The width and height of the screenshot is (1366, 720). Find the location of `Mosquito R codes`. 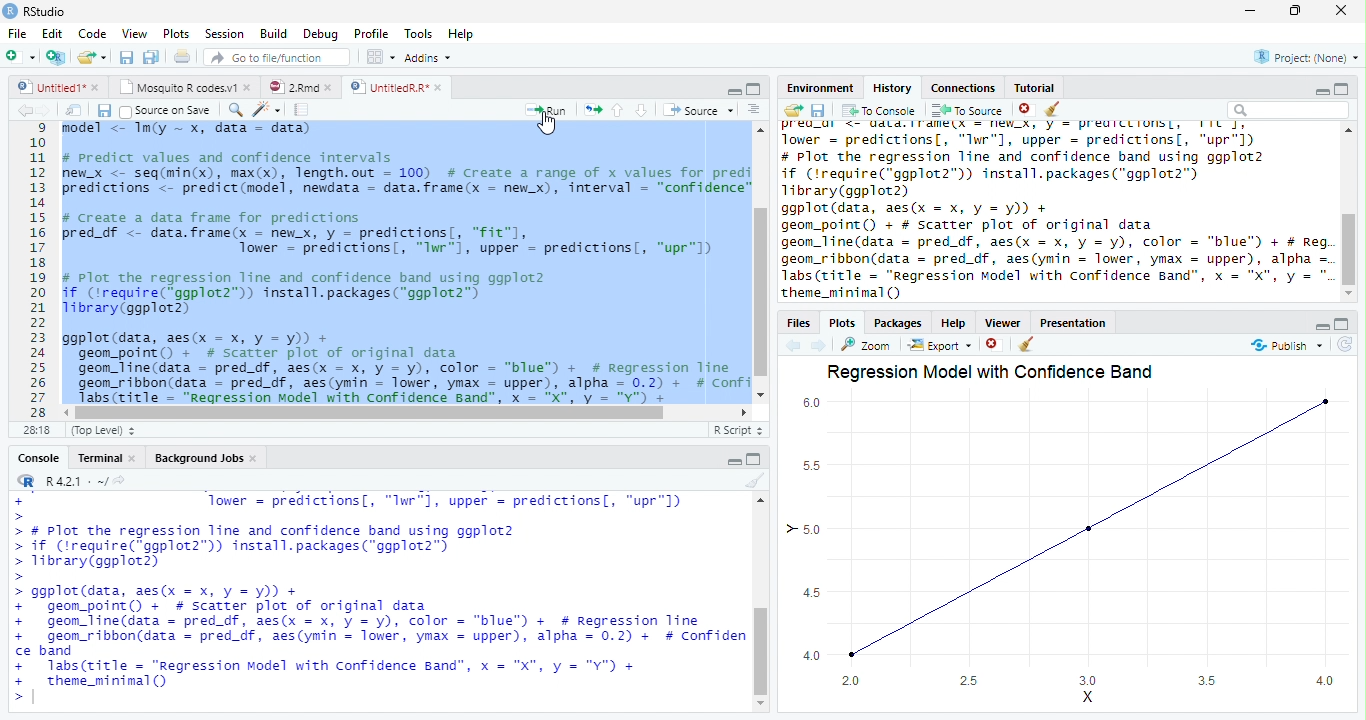

Mosquito R codes is located at coordinates (184, 87).